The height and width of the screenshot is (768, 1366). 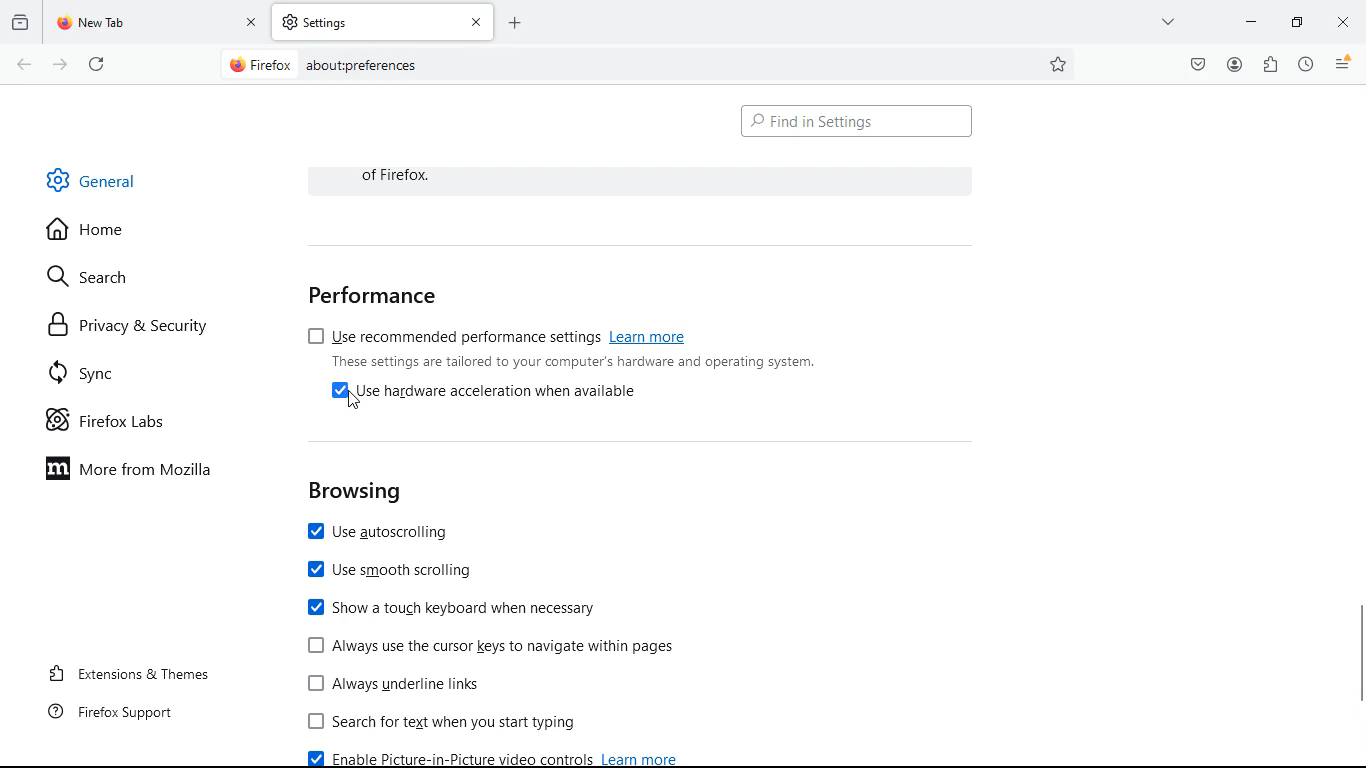 I want to click on sync, so click(x=95, y=373).